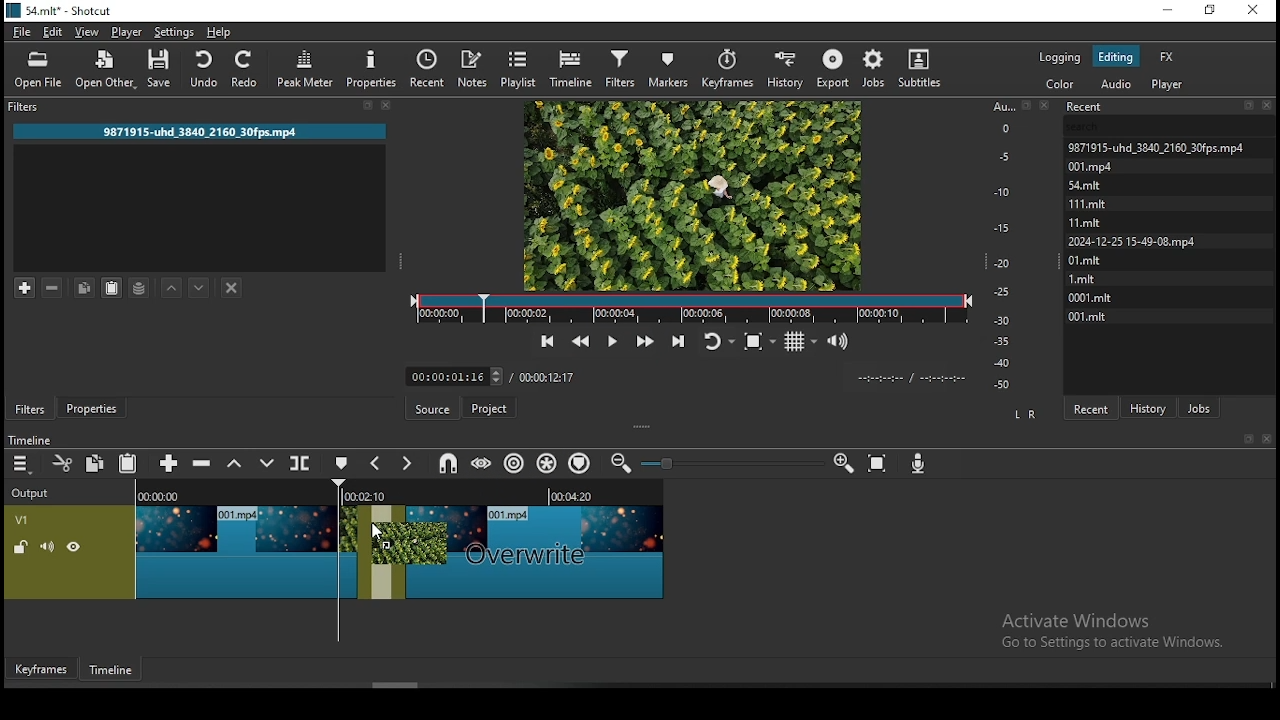 This screenshot has width=1280, height=720. I want to click on player, so click(127, 32).